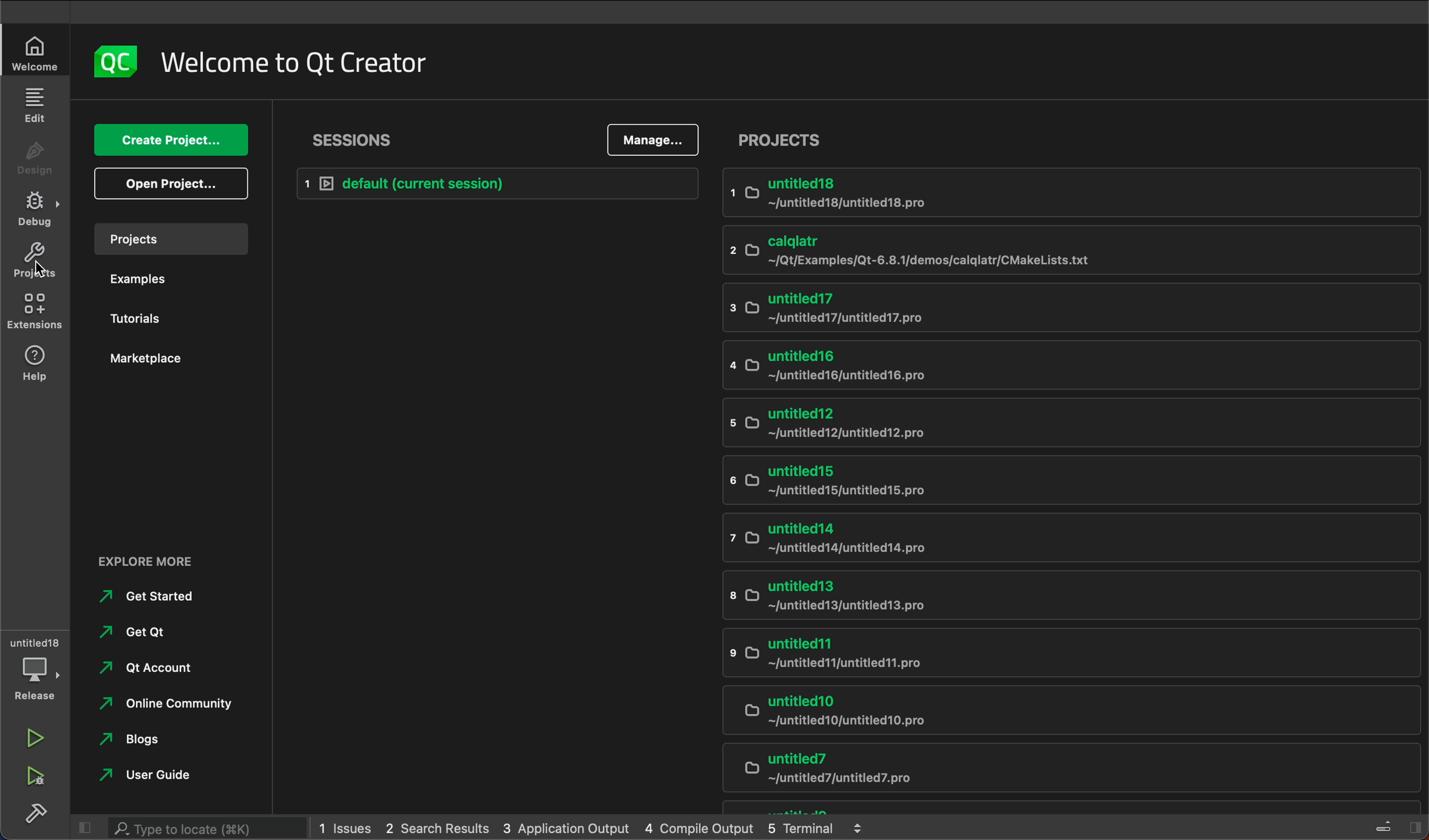 This screenshot has width=1429, height=840. I want to click on project list, so click(1074, 133).